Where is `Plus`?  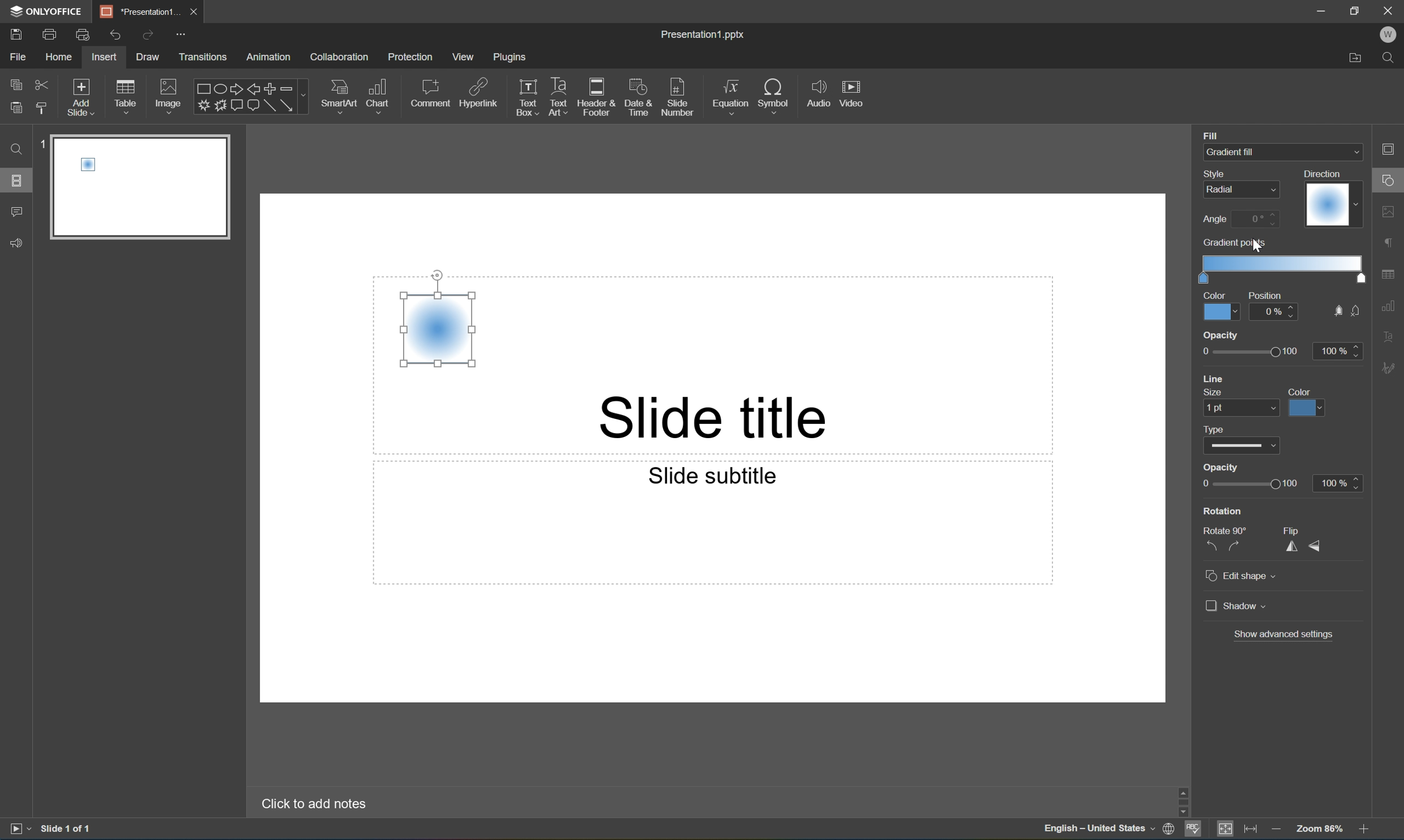 Plus is located at coordinates (271, 88).